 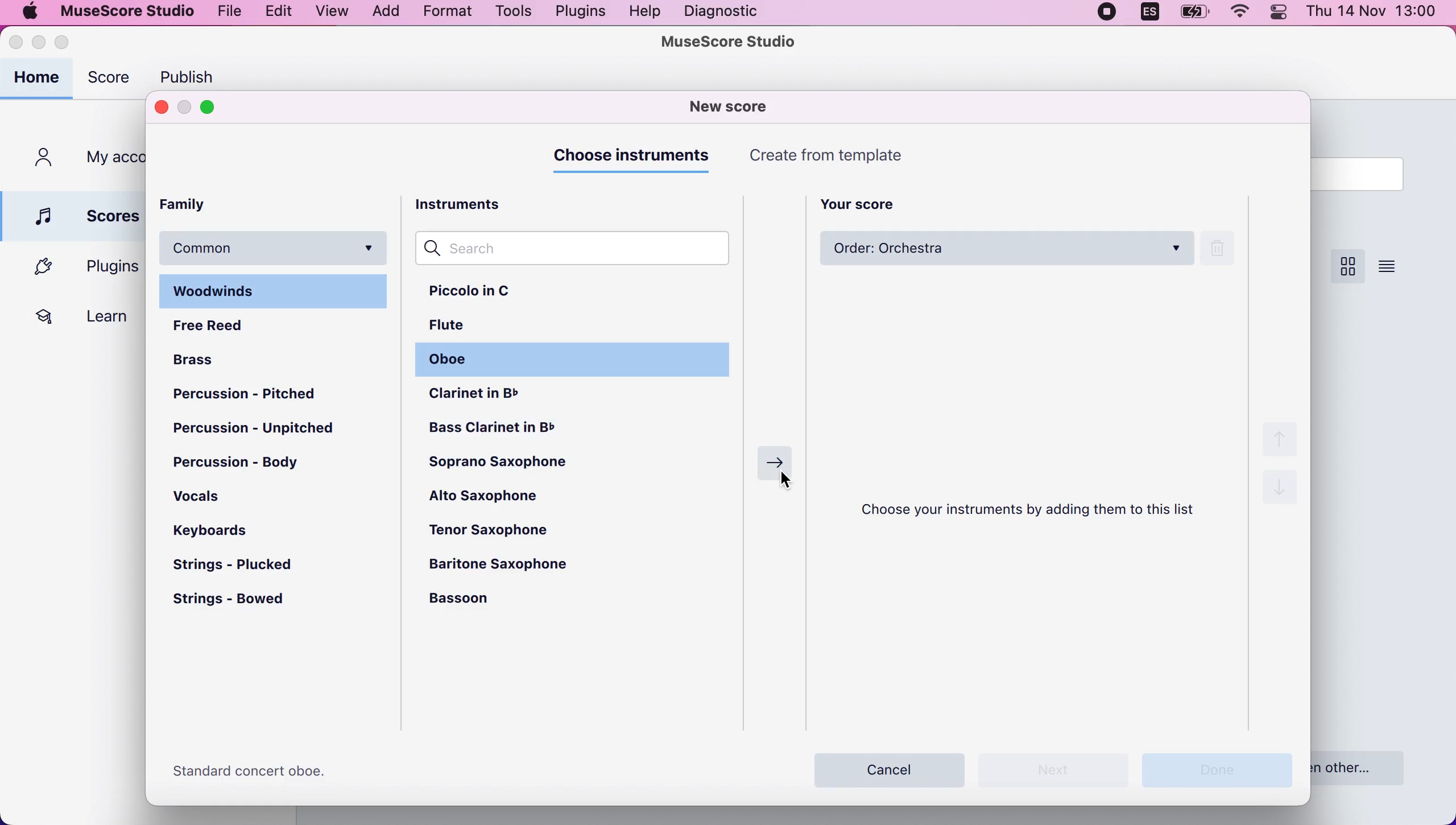 What do you see at coordinates (161, 108) in the screenshot?
I see `close` at bounding box center [161, 108].